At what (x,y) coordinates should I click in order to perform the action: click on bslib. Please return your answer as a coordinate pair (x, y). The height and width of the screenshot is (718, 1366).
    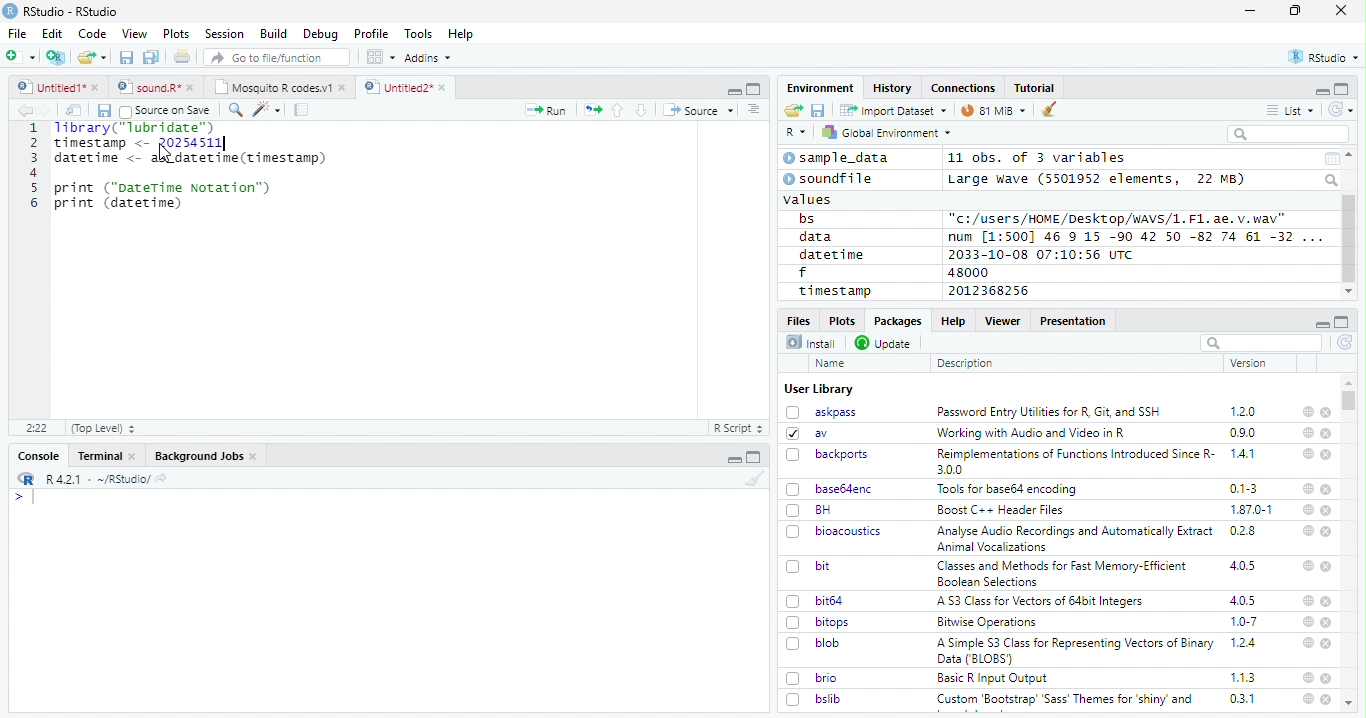
    Looking at the image, I should click on (814, 698).